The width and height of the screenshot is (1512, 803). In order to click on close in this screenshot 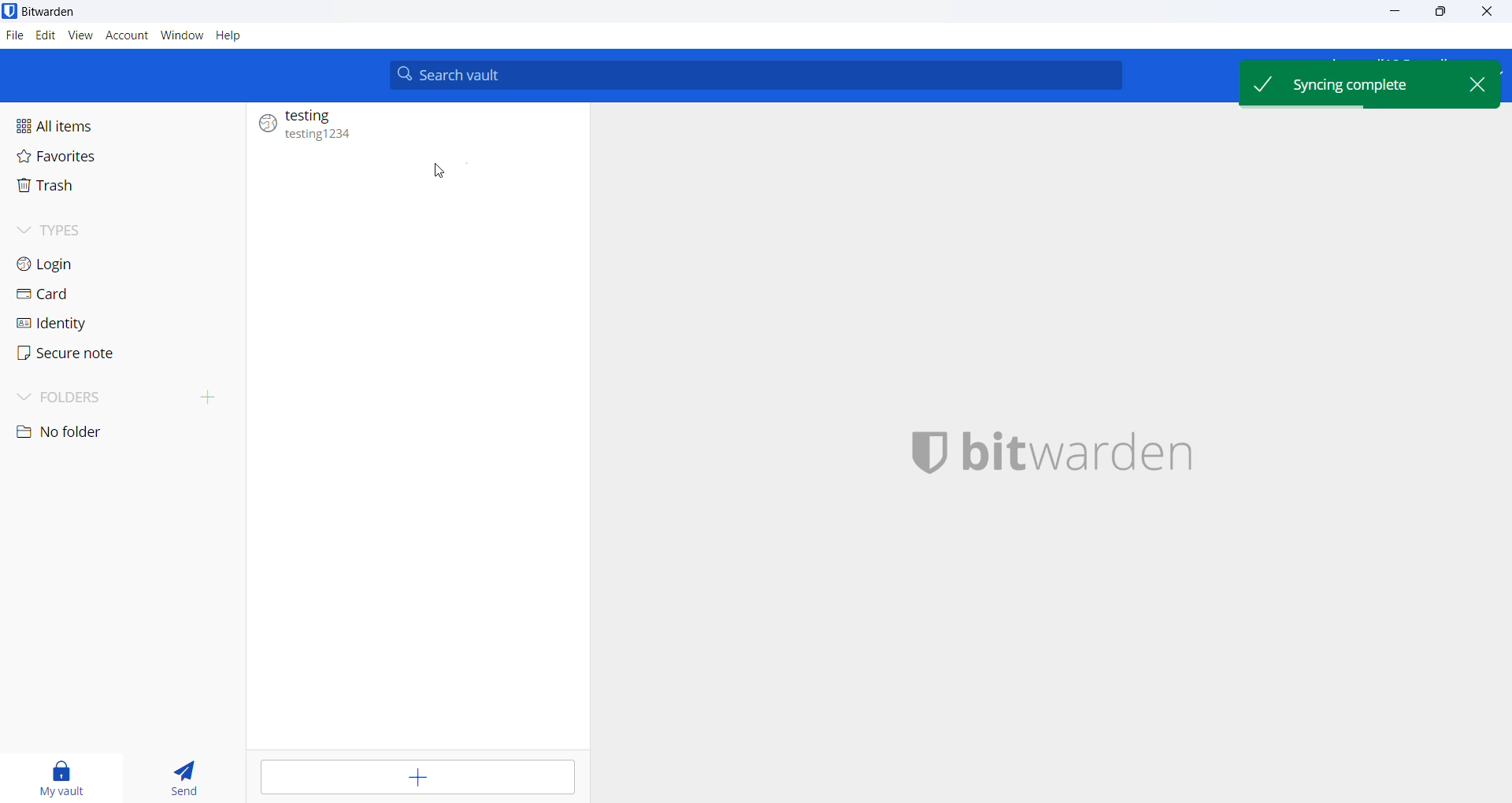, I will do `click(1481, 85)`.